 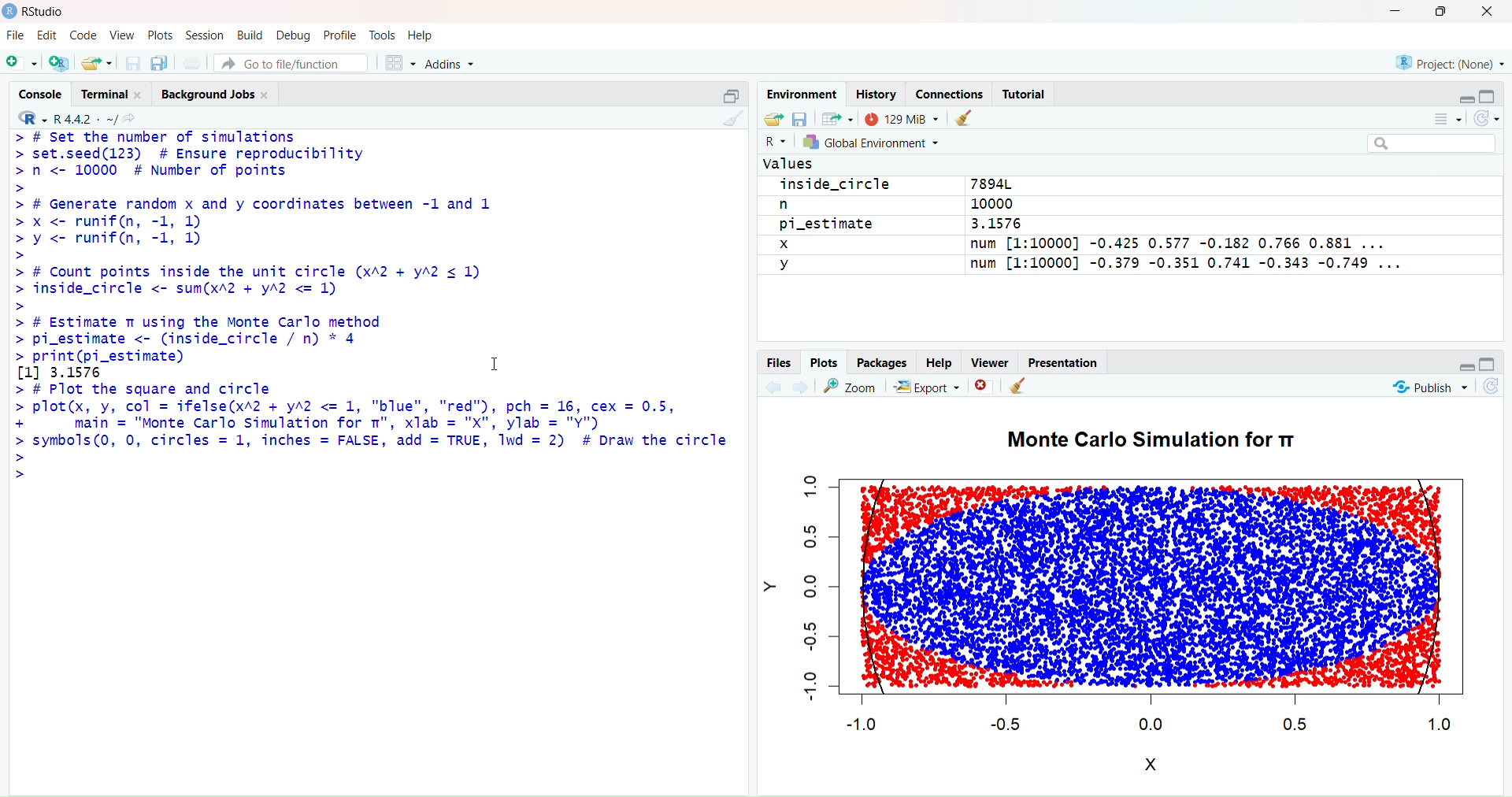 I want to click on Refresh current plot, so click(x=1497, y=389).